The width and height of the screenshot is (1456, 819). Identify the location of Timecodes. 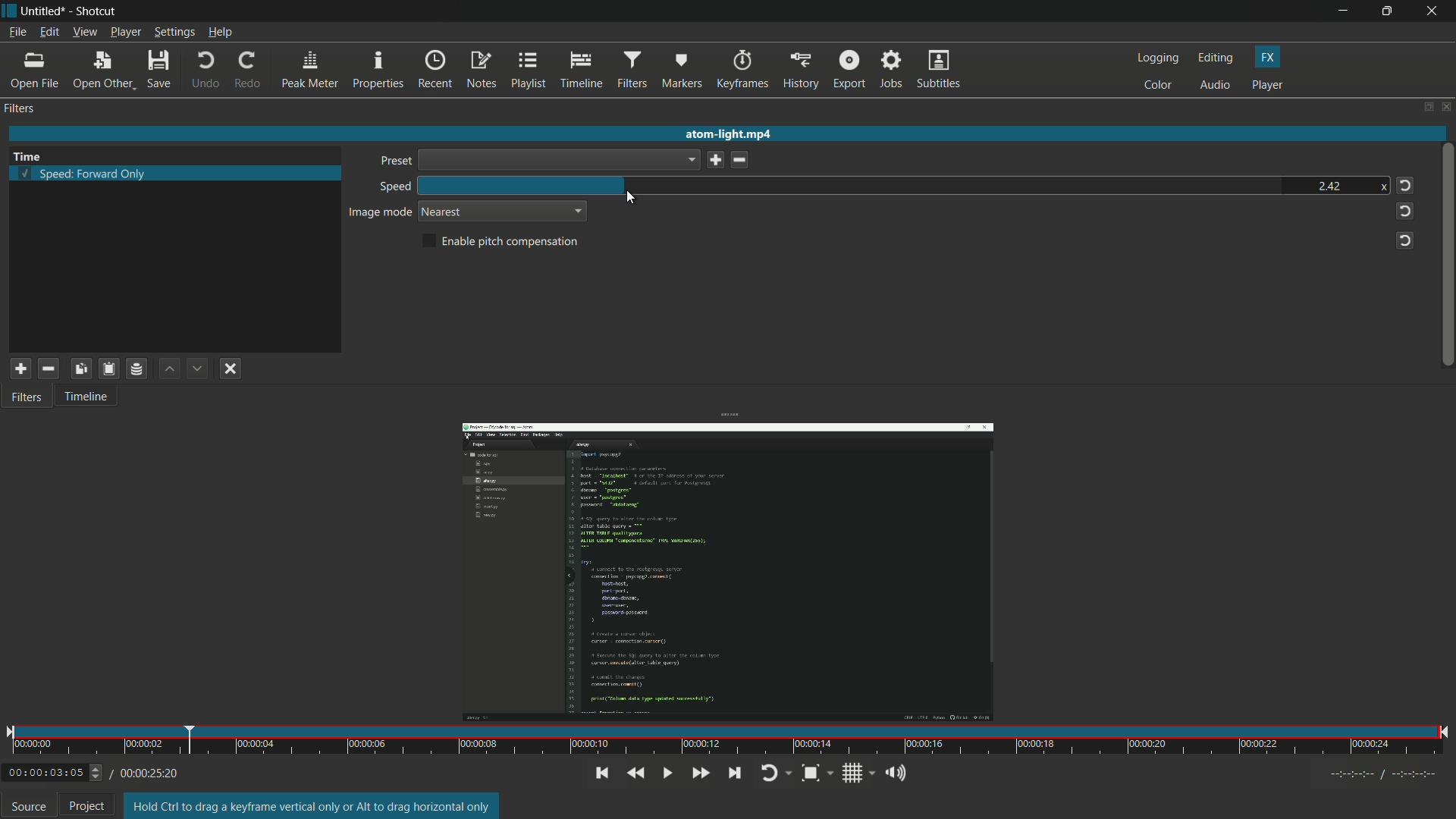
(1367, 773).